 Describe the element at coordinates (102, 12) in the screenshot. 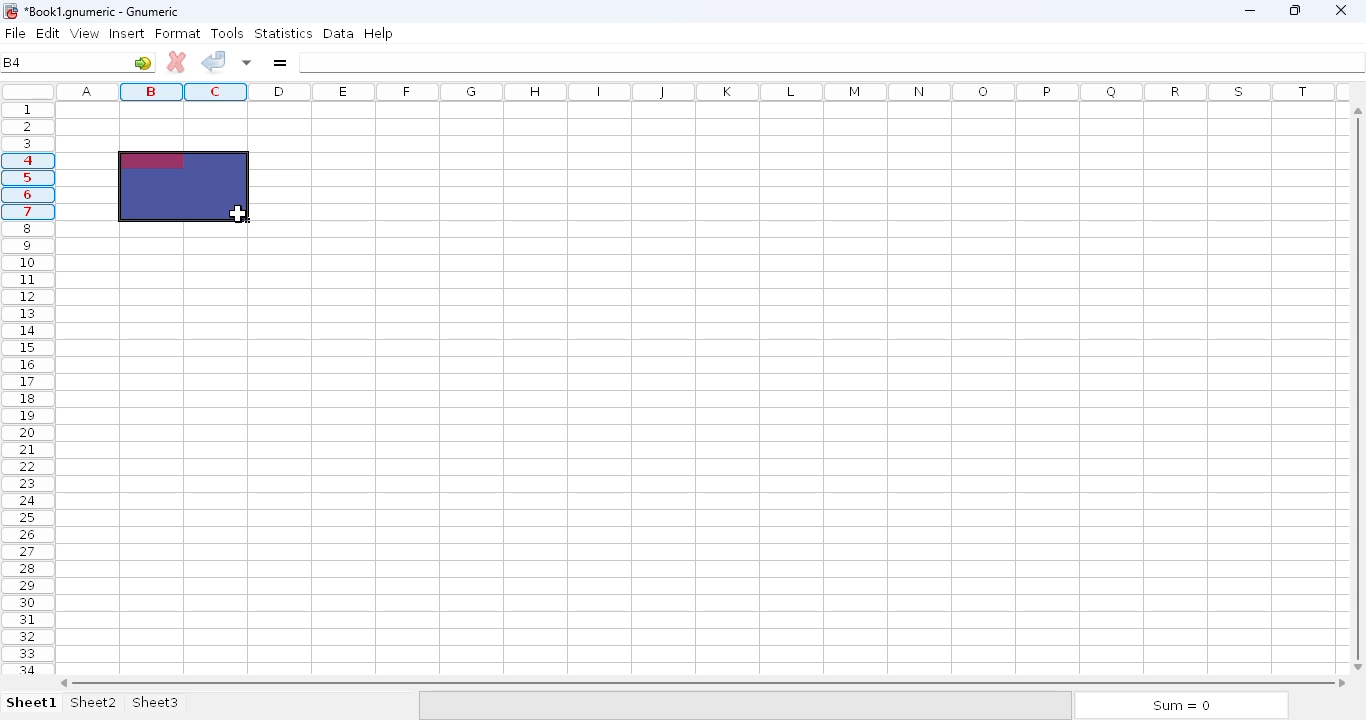

I see `Book1 numeric - Gnumeric` at that location.